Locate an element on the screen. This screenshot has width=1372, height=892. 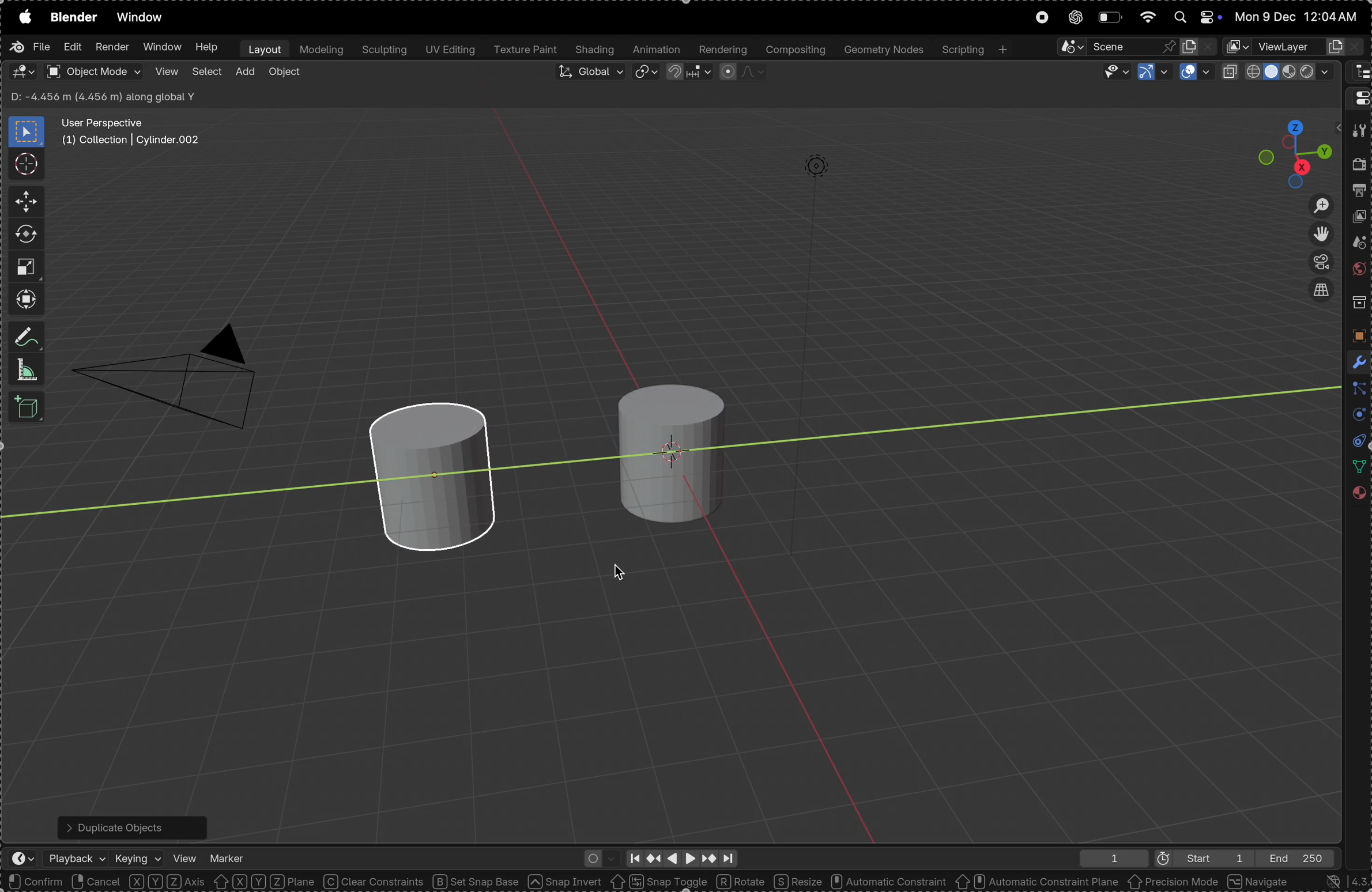
clear constraints is located at coordinates (375, 882).